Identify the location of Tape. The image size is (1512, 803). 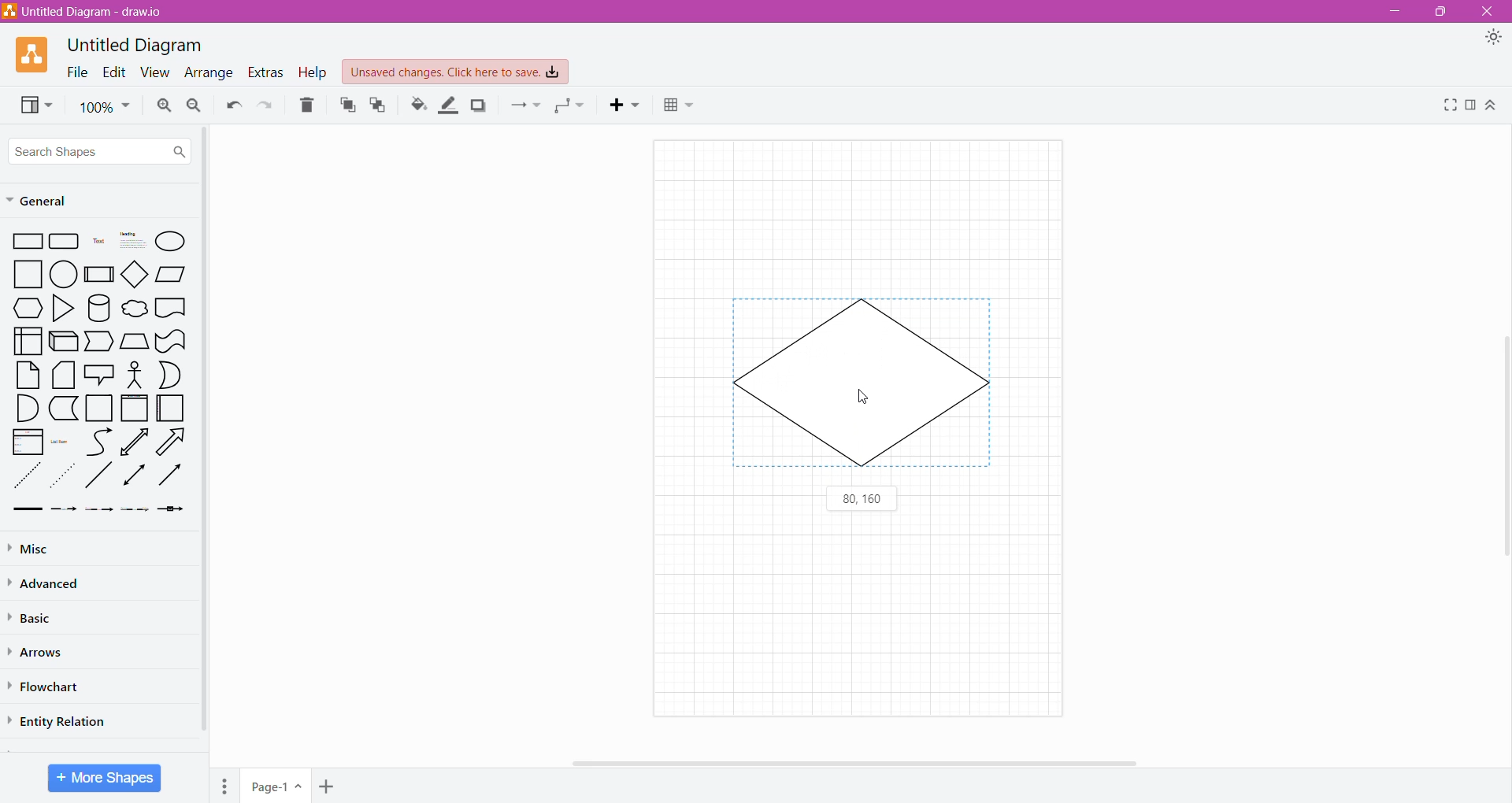
(171, 342).